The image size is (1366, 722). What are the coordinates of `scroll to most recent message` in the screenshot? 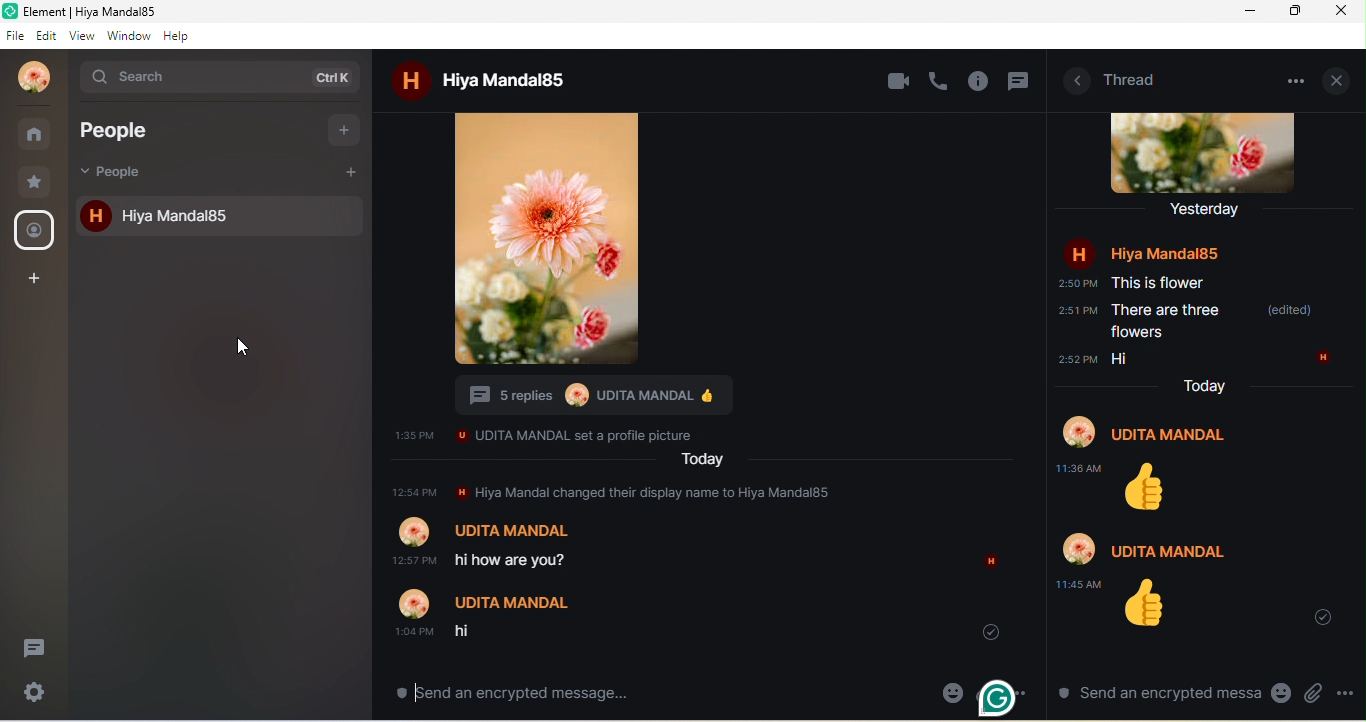 It's located at (1328, 619).